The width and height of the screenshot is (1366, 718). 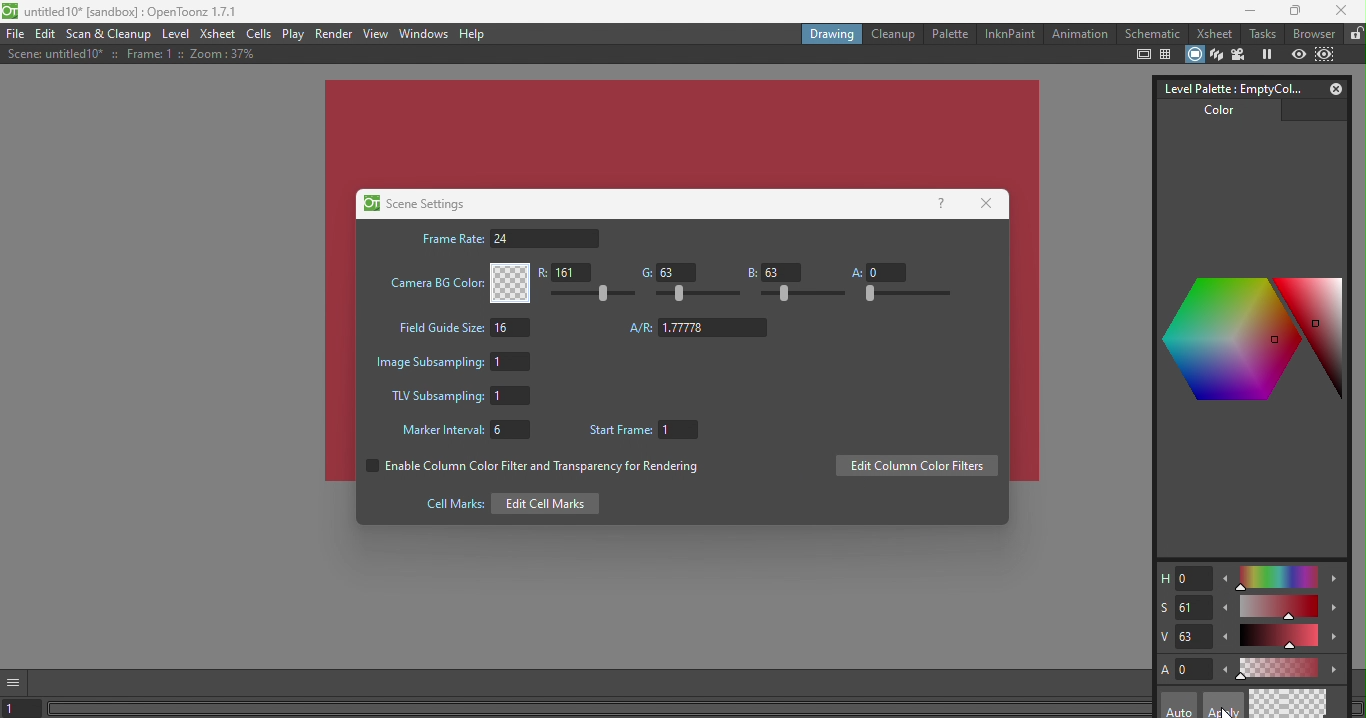 I want to click on Camera view, so click(x=1241, y=54).